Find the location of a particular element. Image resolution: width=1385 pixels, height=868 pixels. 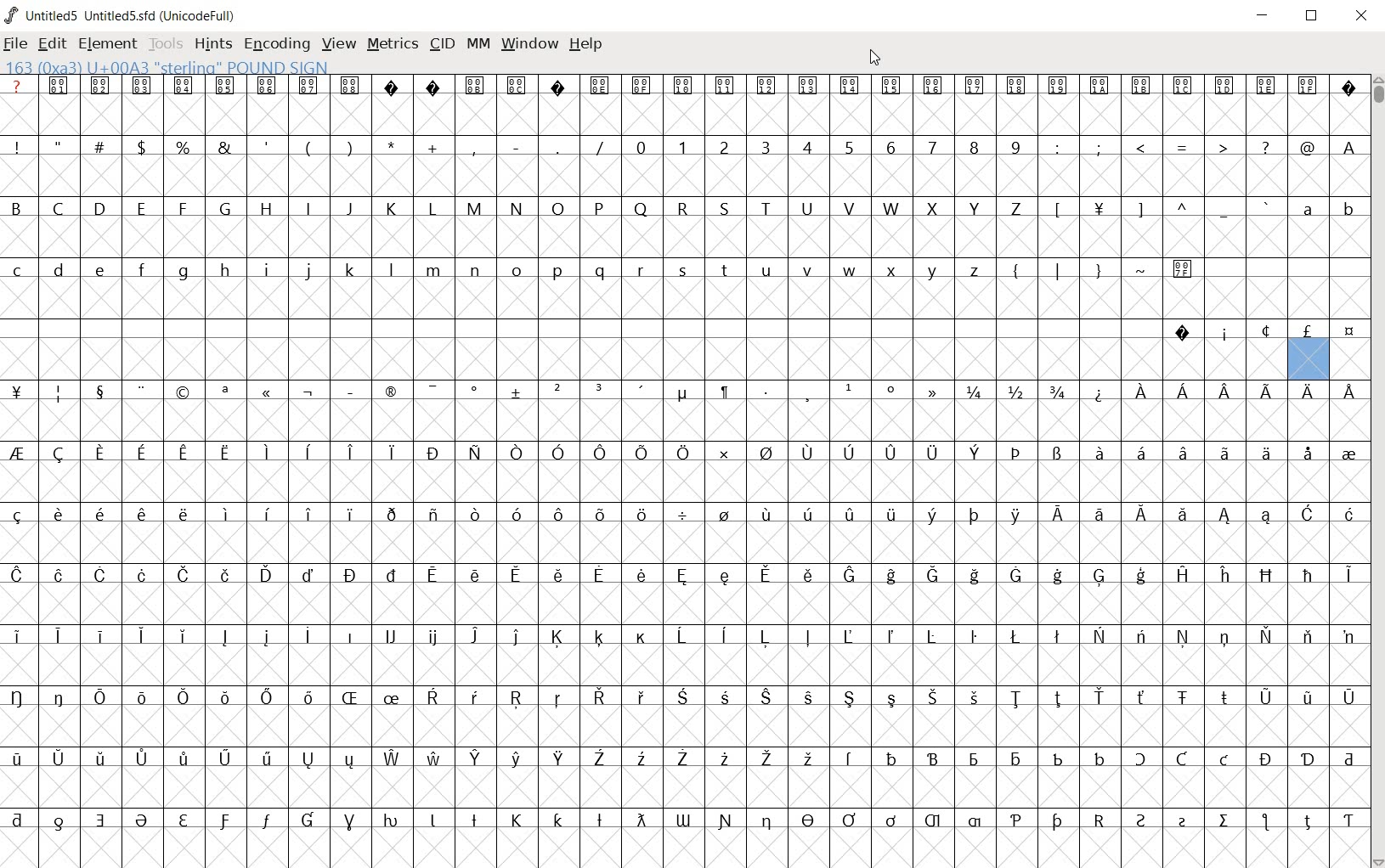

$ is located at coordinates (144, 147).